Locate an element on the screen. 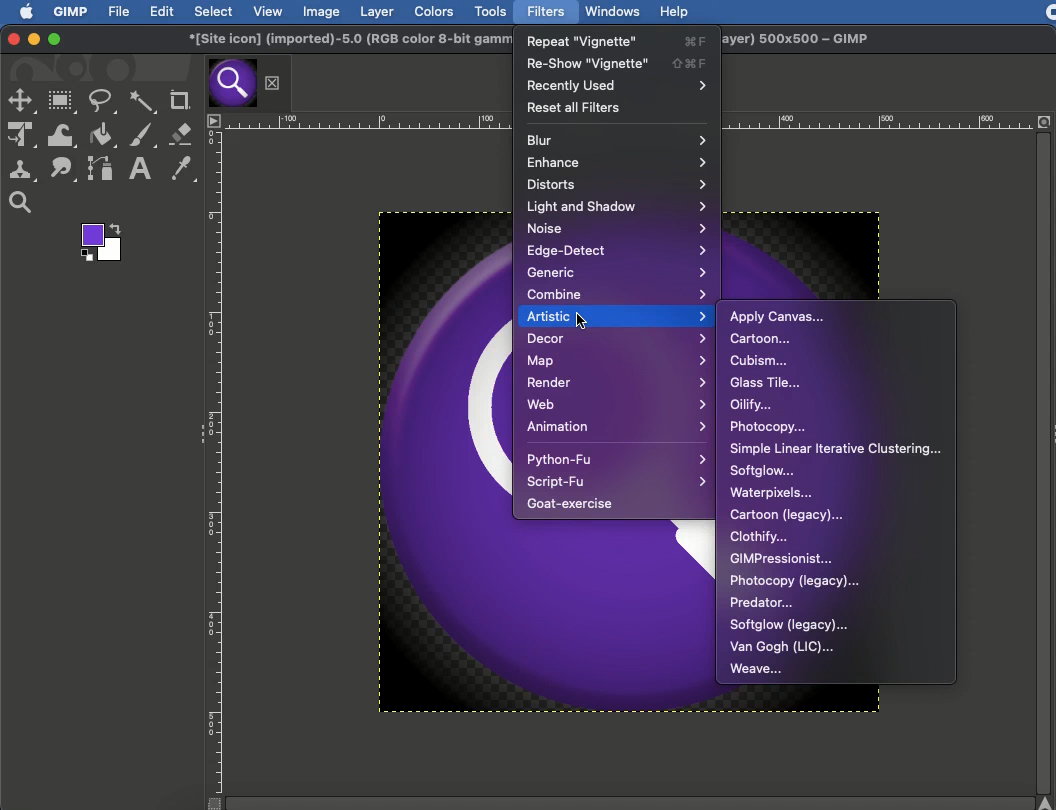 Image resolution: width=1056 pixels, height=810 pixels. Rectangular selection is located at coordinates (62, 102).